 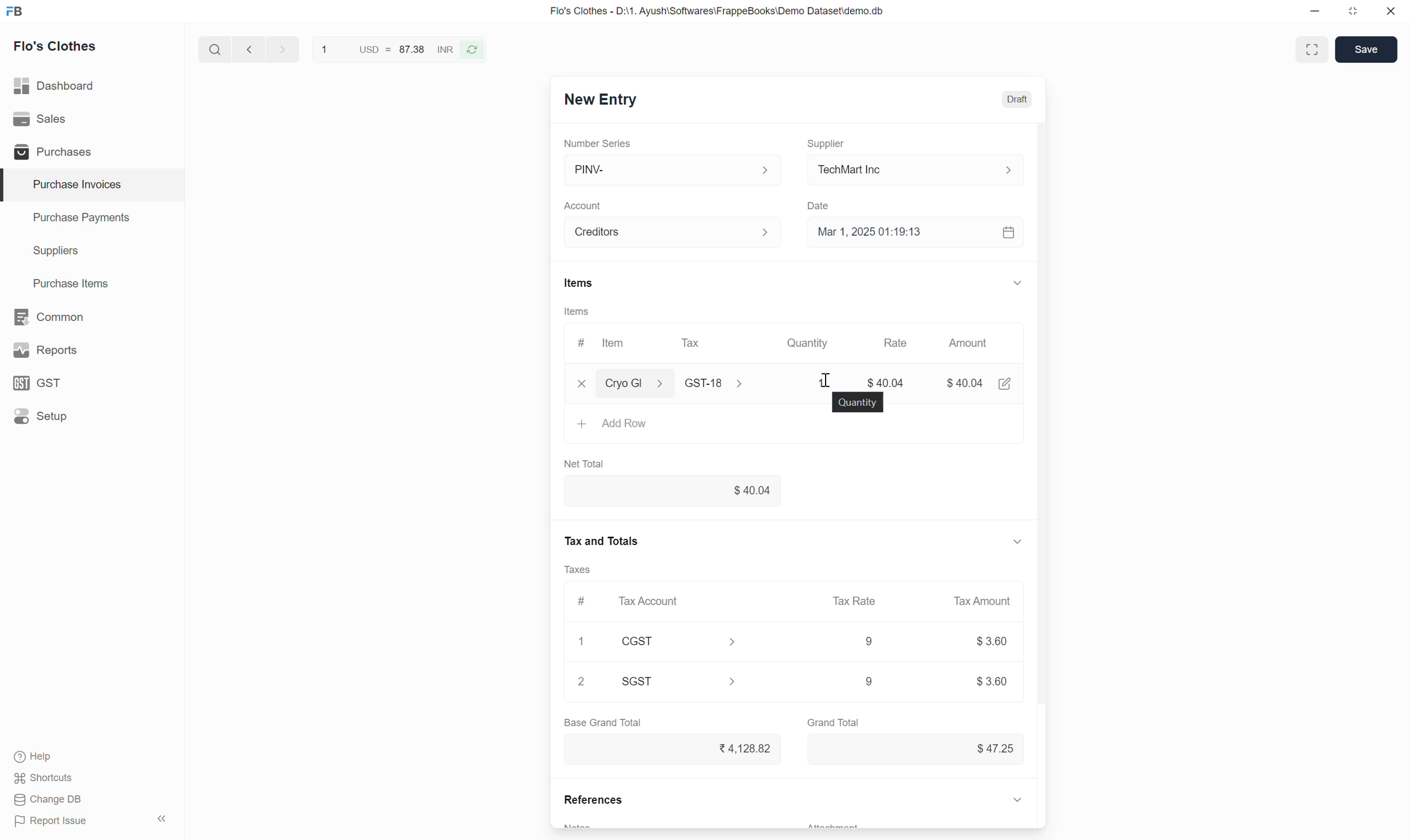 What do you see at coordinates (576, 311) in the screenshot?
I see `Items` at bounding box center [576, 311].